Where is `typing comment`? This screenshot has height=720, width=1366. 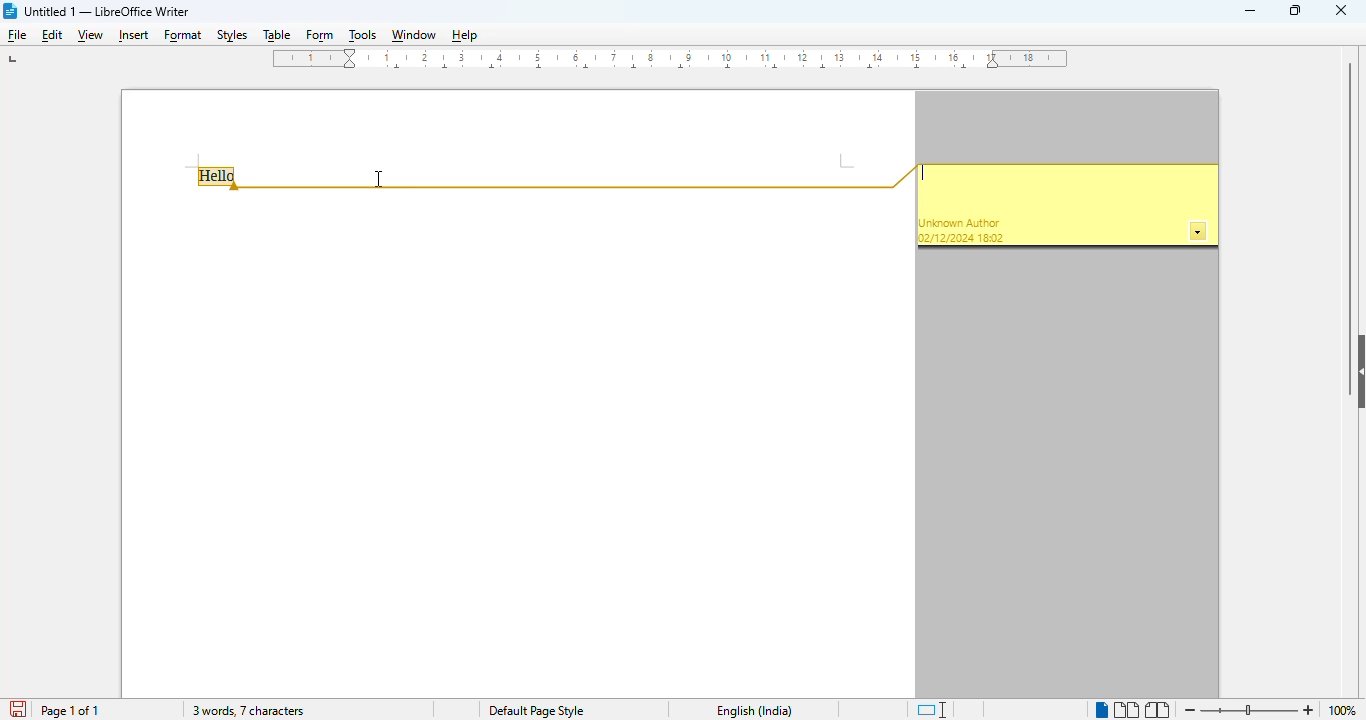
typing comment is located at coordinates (925, 174).